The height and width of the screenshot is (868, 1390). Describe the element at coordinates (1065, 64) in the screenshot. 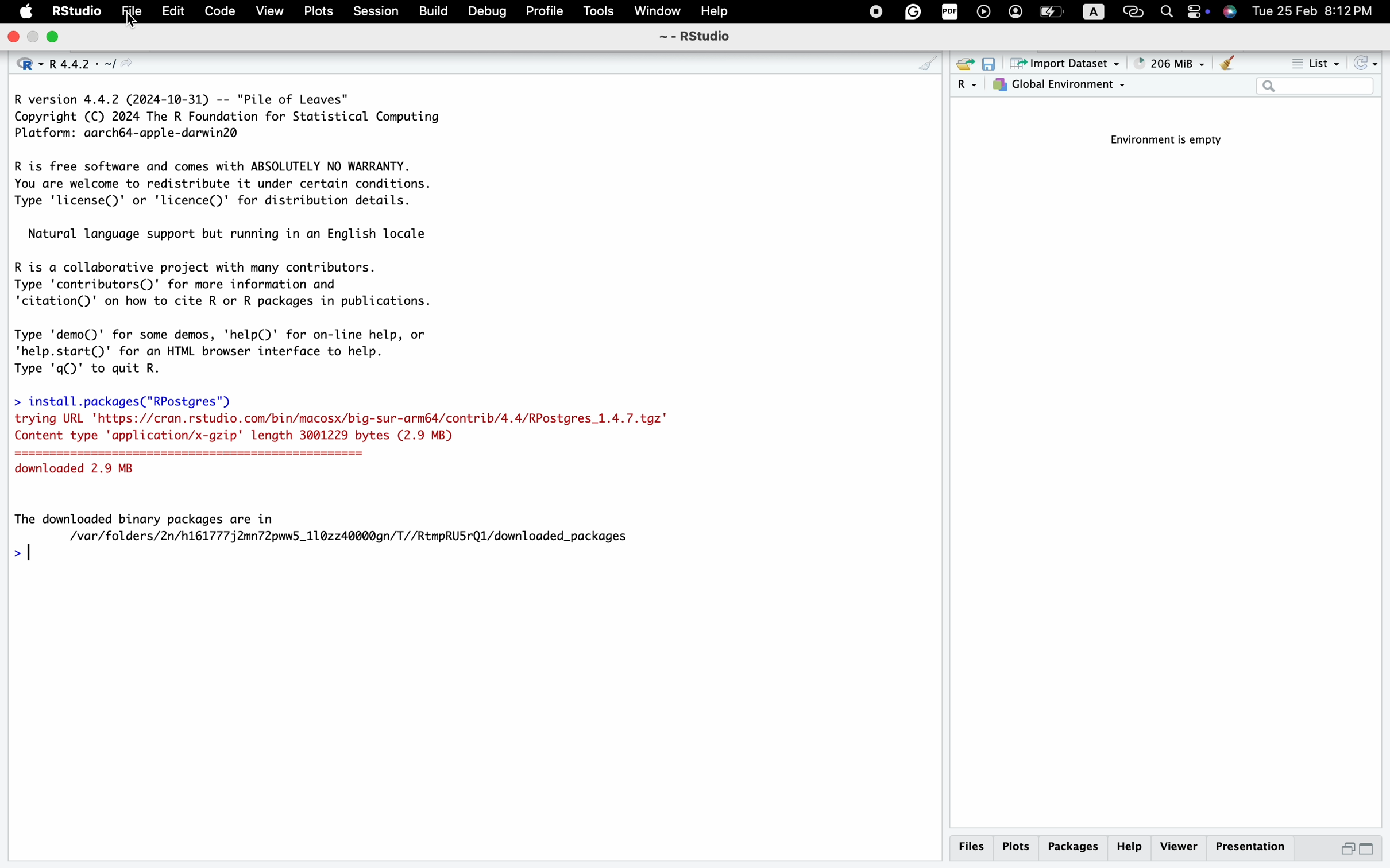

I see `import dataset` at that location.